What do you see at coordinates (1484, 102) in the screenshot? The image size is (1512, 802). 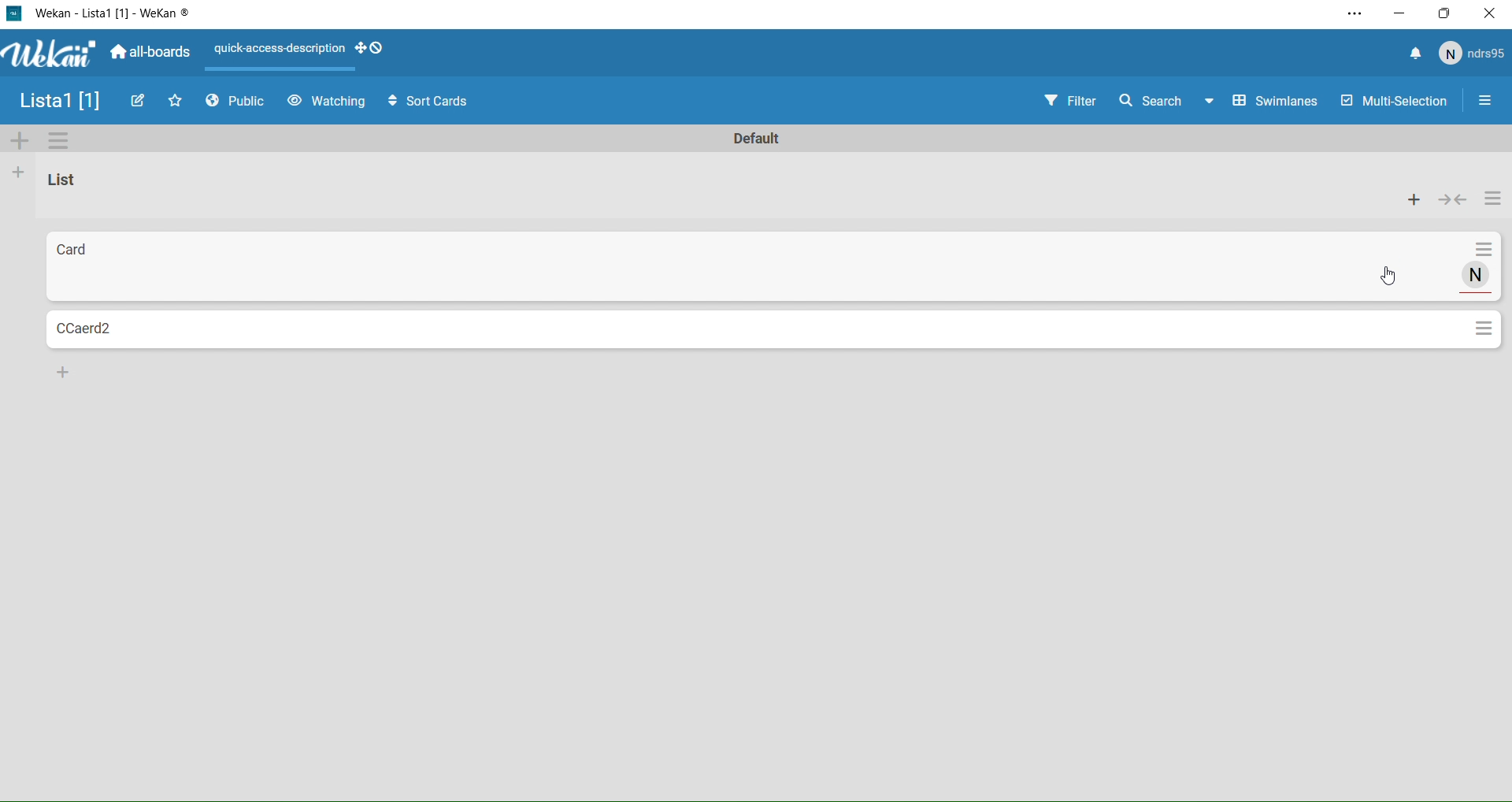 I see `Options` at bounding box center [1484, 102].